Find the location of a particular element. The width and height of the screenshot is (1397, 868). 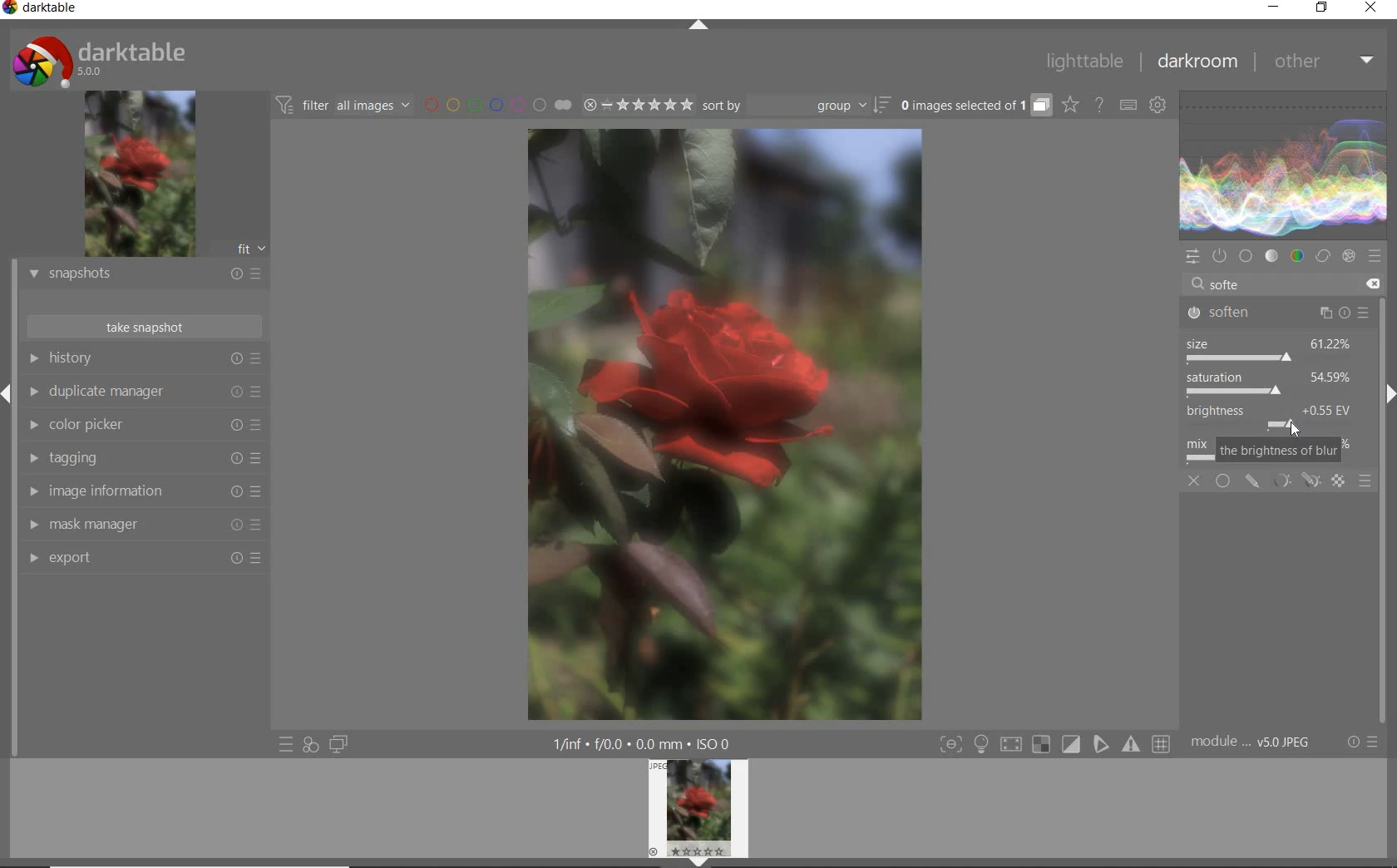

sort is located at coordinates (797, 106).